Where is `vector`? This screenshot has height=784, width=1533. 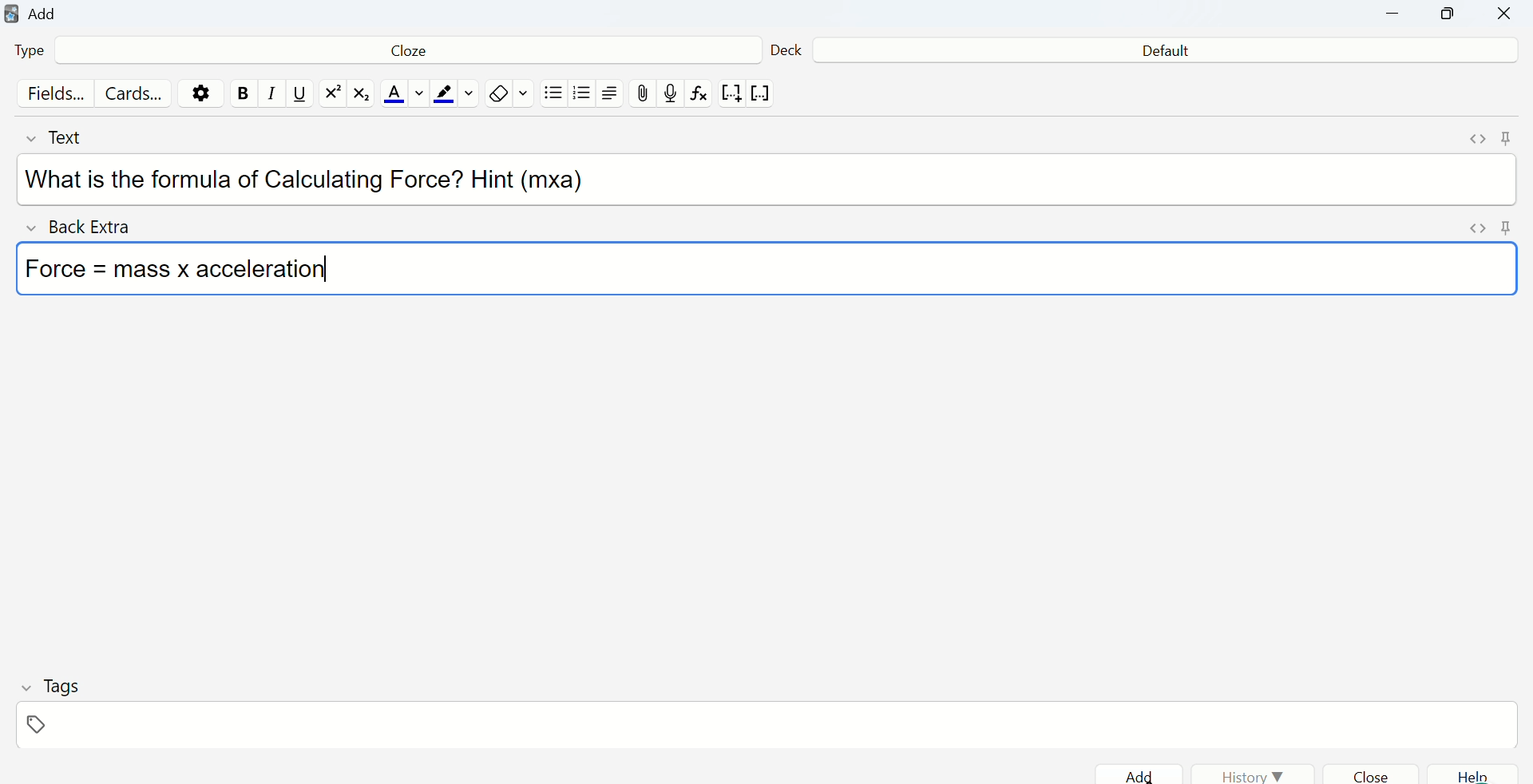 vector is located at coordinates (763, 94).